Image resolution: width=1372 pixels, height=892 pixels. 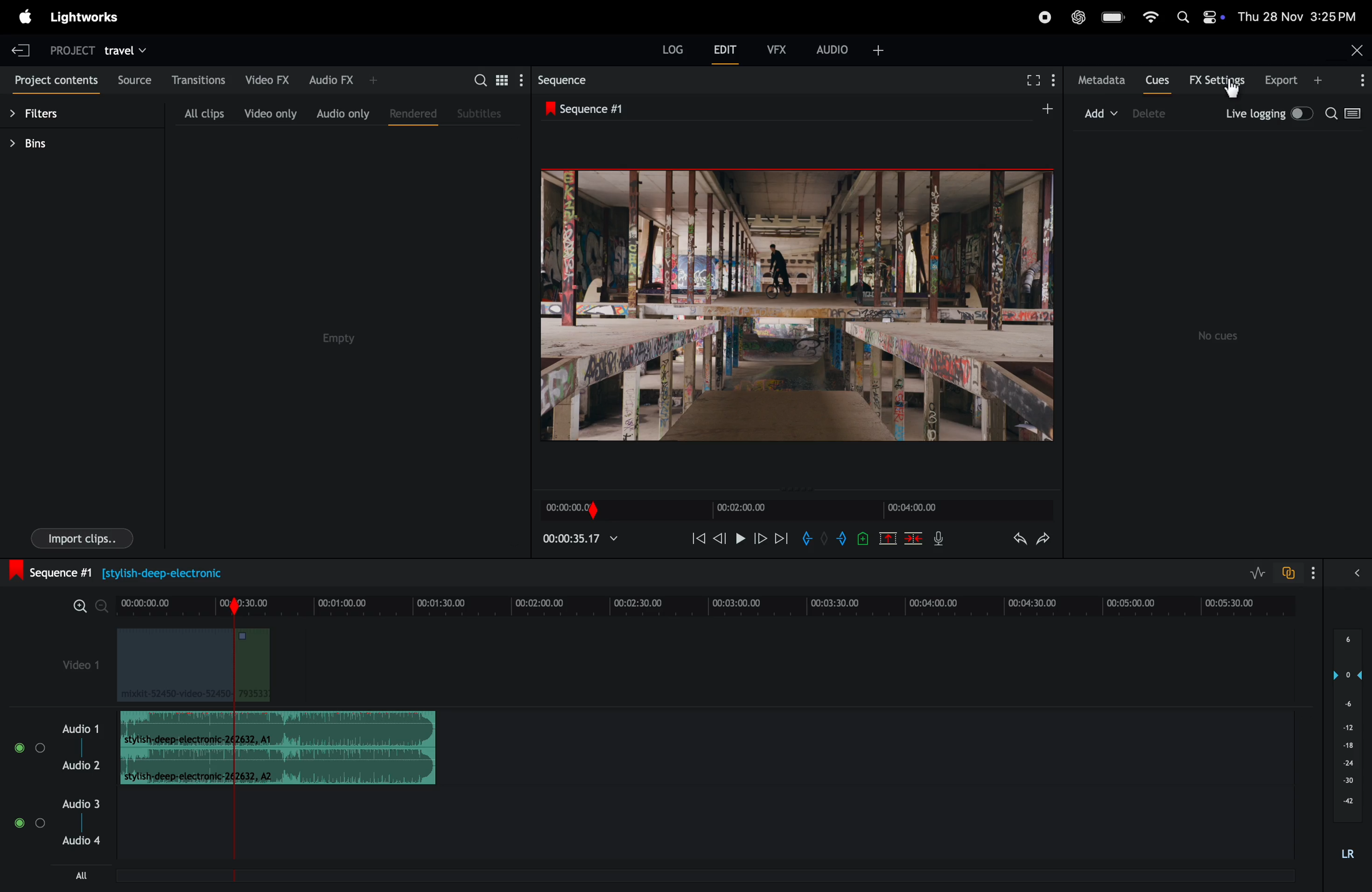 I want to click on apple widgets, so click(x=1197, y=18).